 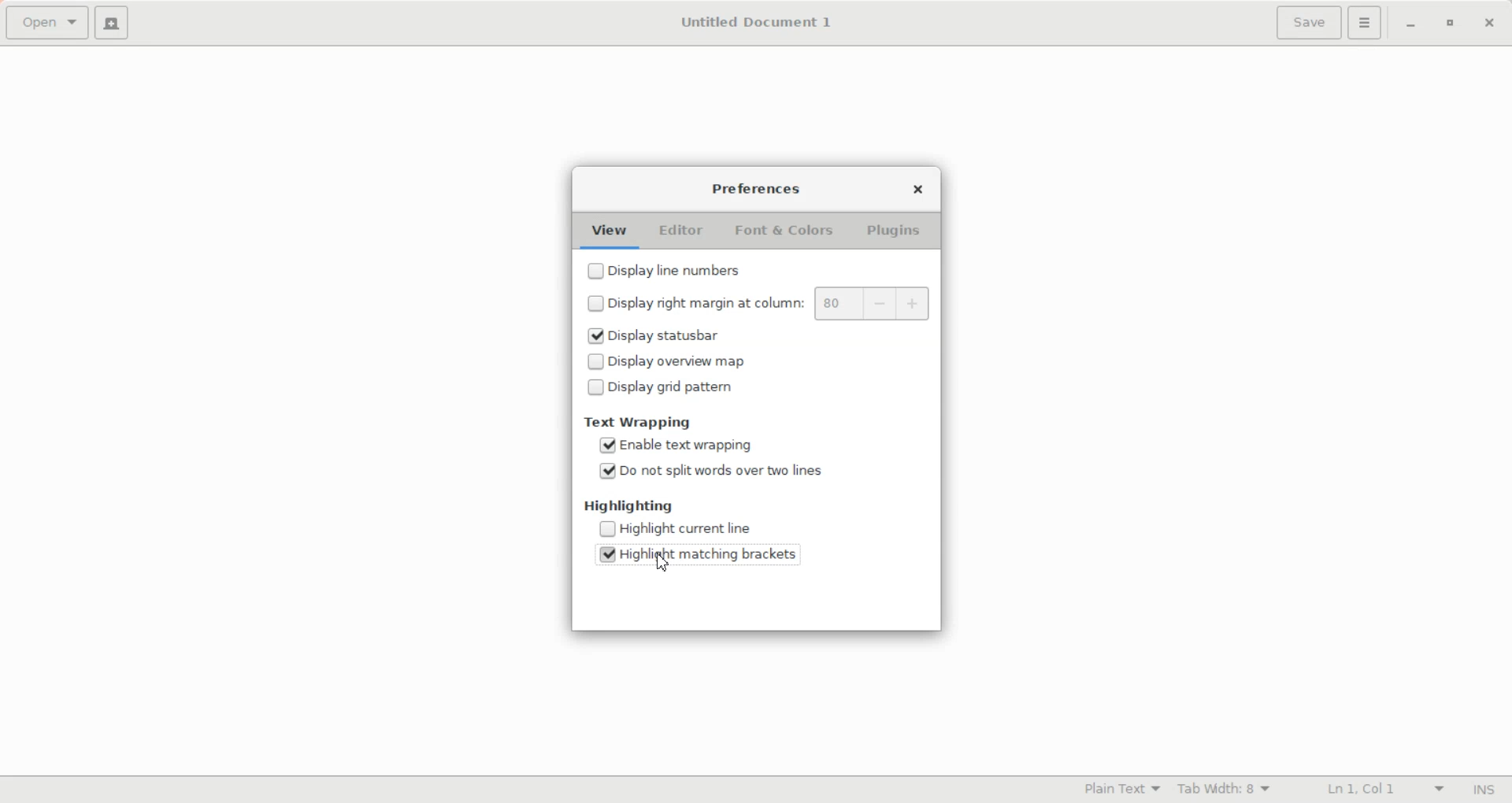 What do you see at coordinates (722, 336) in the screenshot?
I see `(un)check Enable Display status bar` at bounding box center [722, 336].